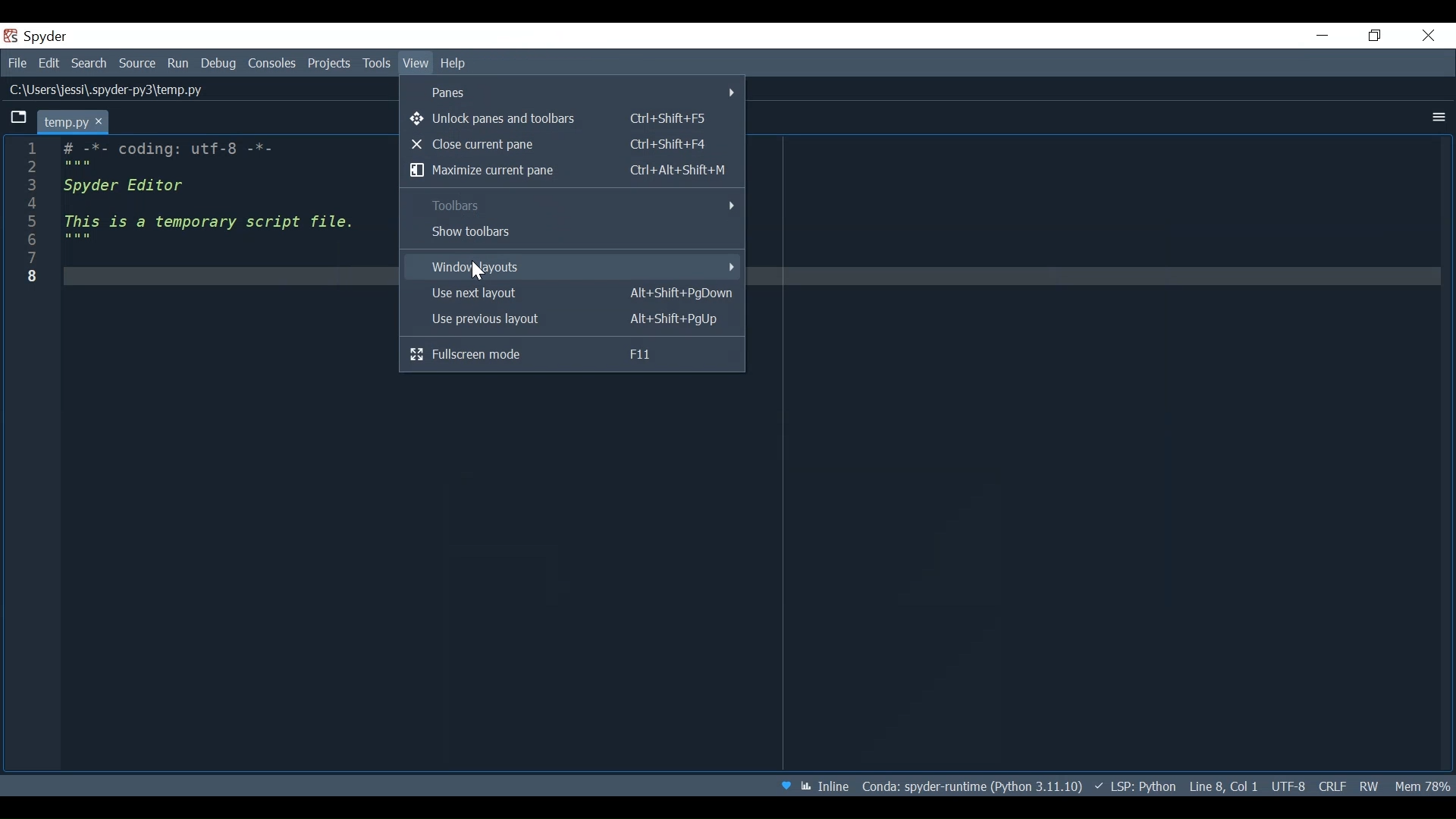  Describe the element at coordinates (1323, 36) in the screenshot. I see `Minimize` at that location.